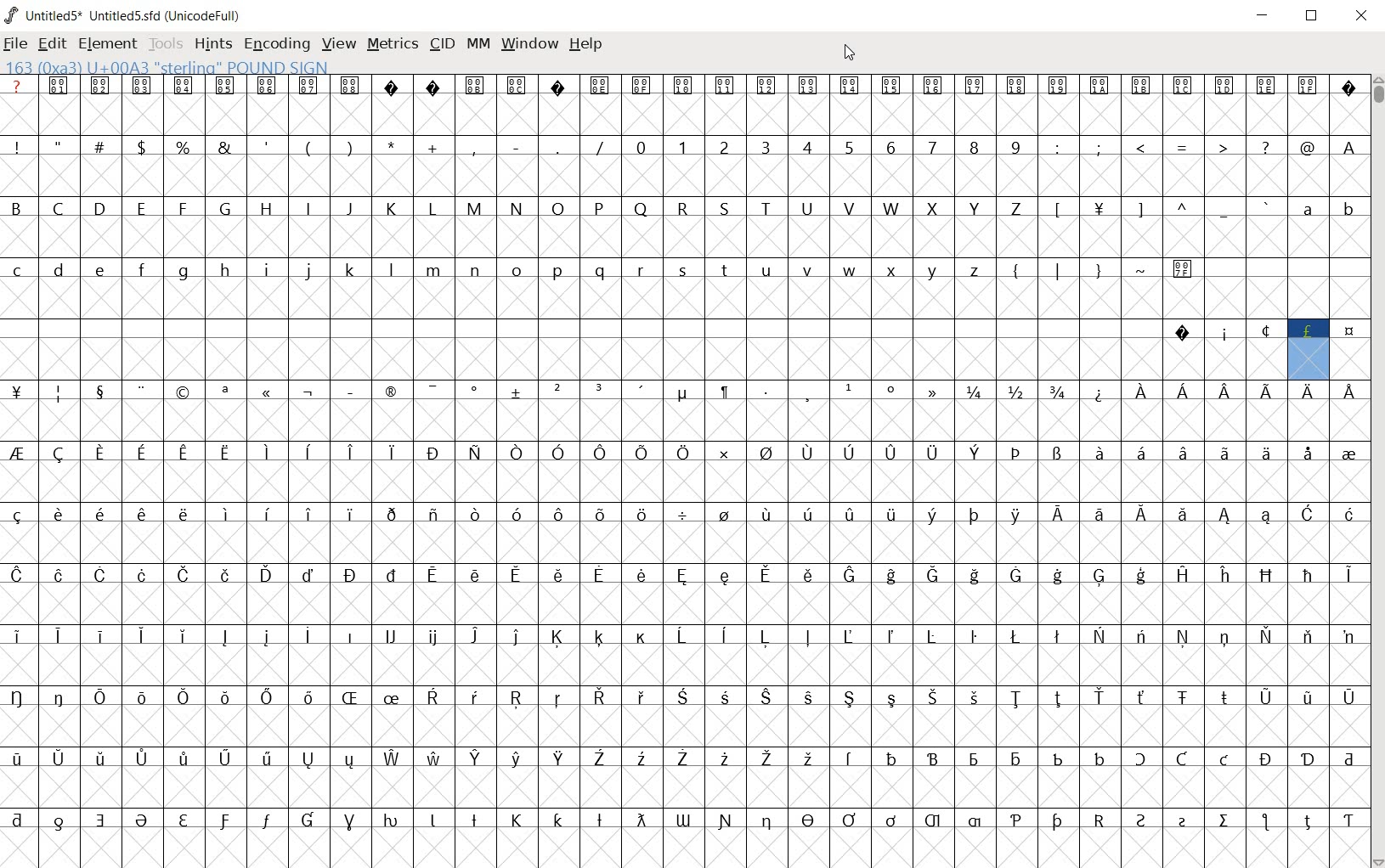 This screenshot has width=1385, height=868. Describe the element at coordinates (1361, 18) in the screenshot. I see `CLOSE` at that location.